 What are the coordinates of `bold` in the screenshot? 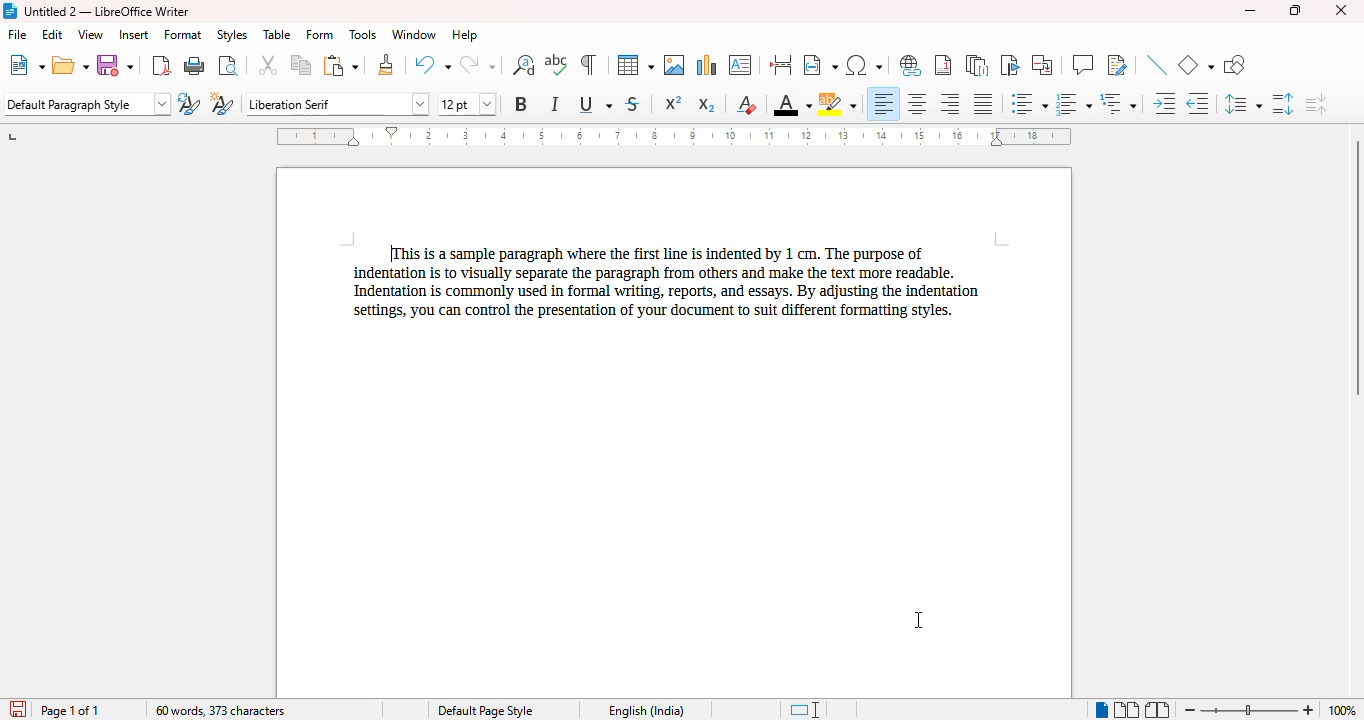 It's located at (522, 103).